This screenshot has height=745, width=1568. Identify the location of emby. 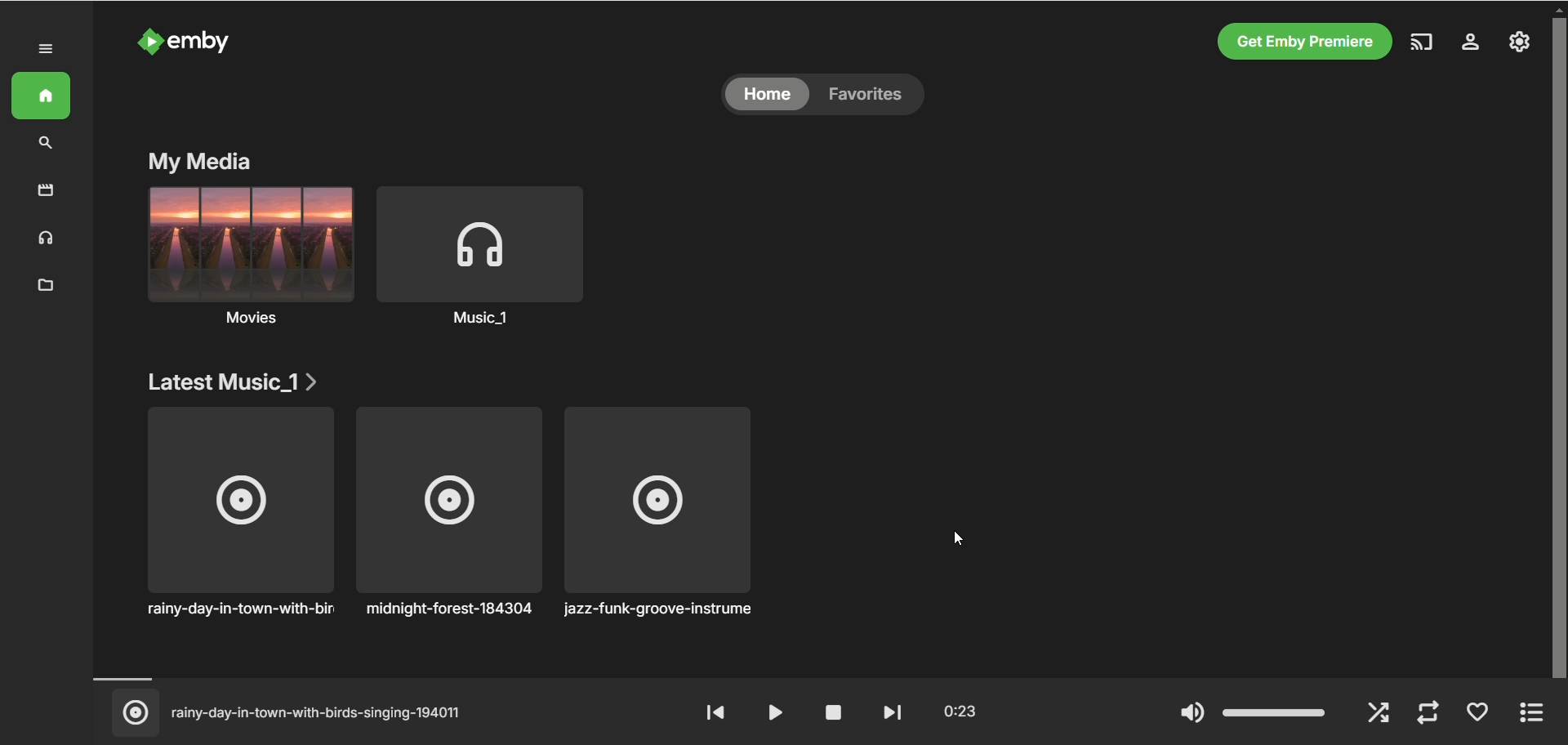
(205, 42).